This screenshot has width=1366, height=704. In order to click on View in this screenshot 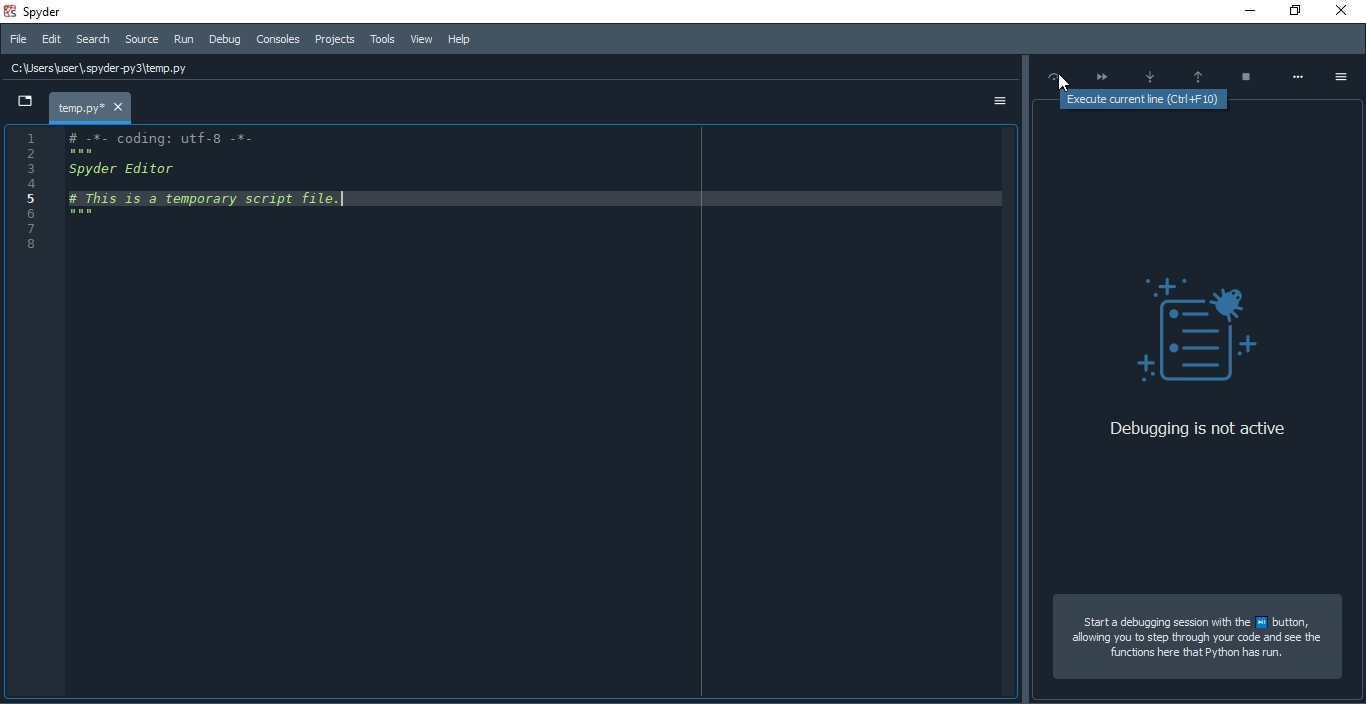, I will do `click(421, 38)`.